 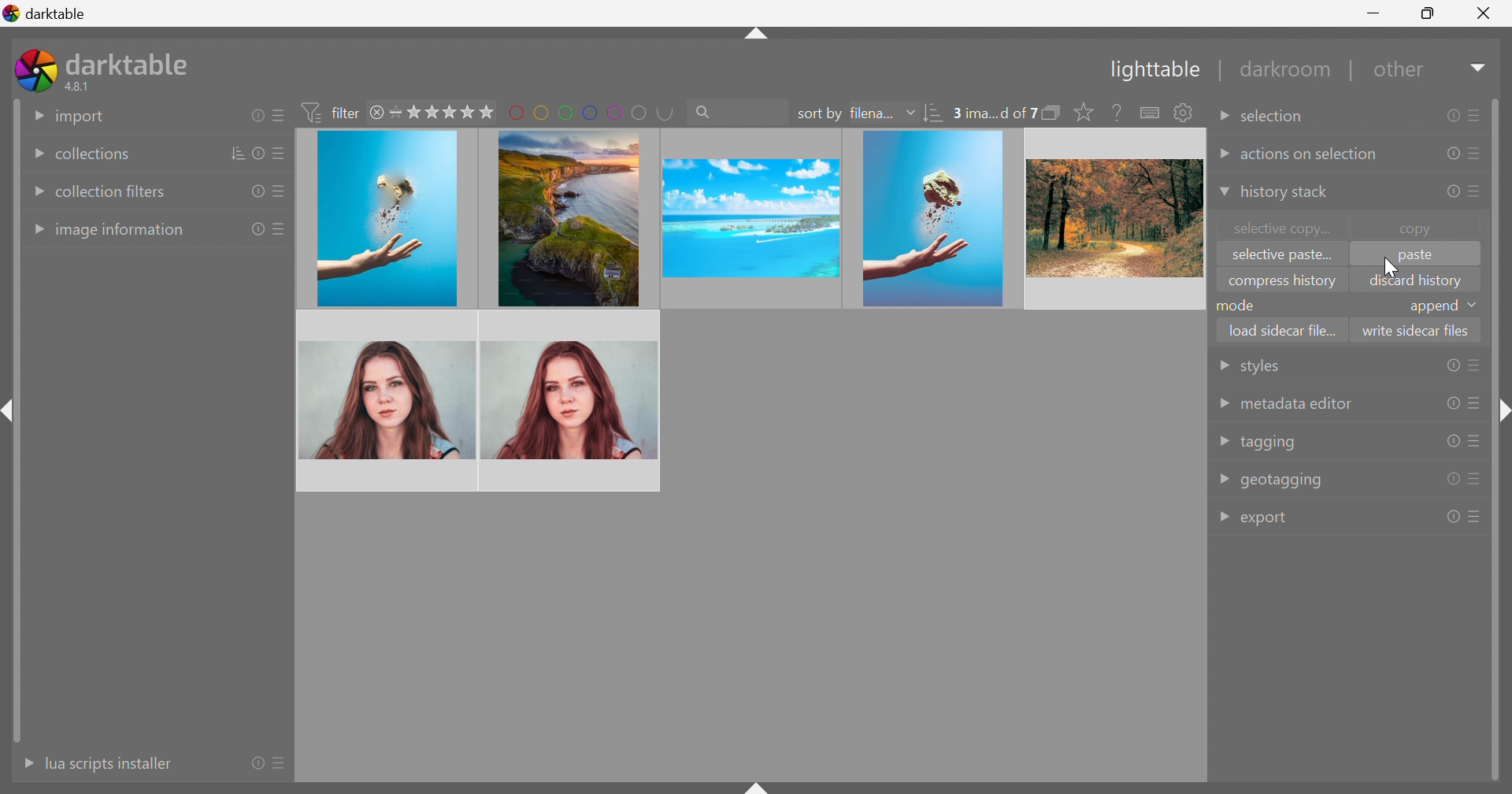 I want to click on geotagging, so click(x=1283, y=480).